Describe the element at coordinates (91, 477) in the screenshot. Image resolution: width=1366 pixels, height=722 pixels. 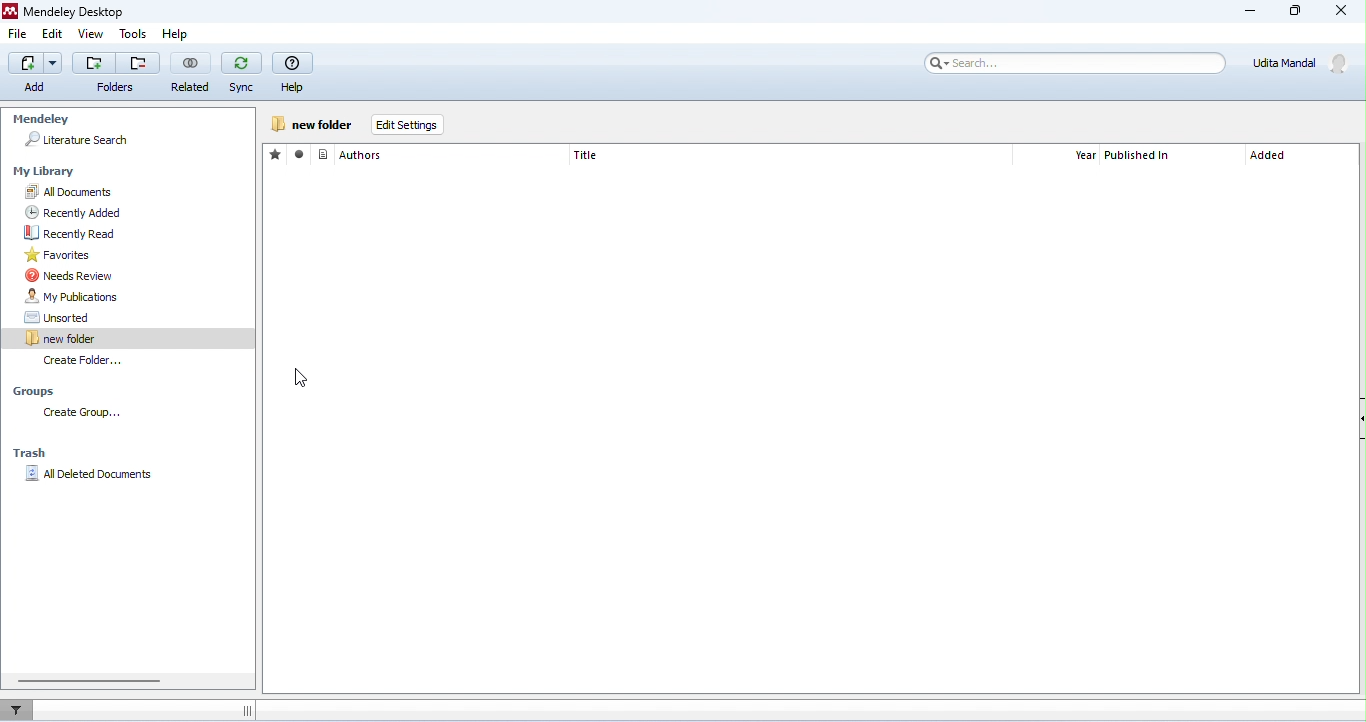
I see `all deleted documents` at that location.